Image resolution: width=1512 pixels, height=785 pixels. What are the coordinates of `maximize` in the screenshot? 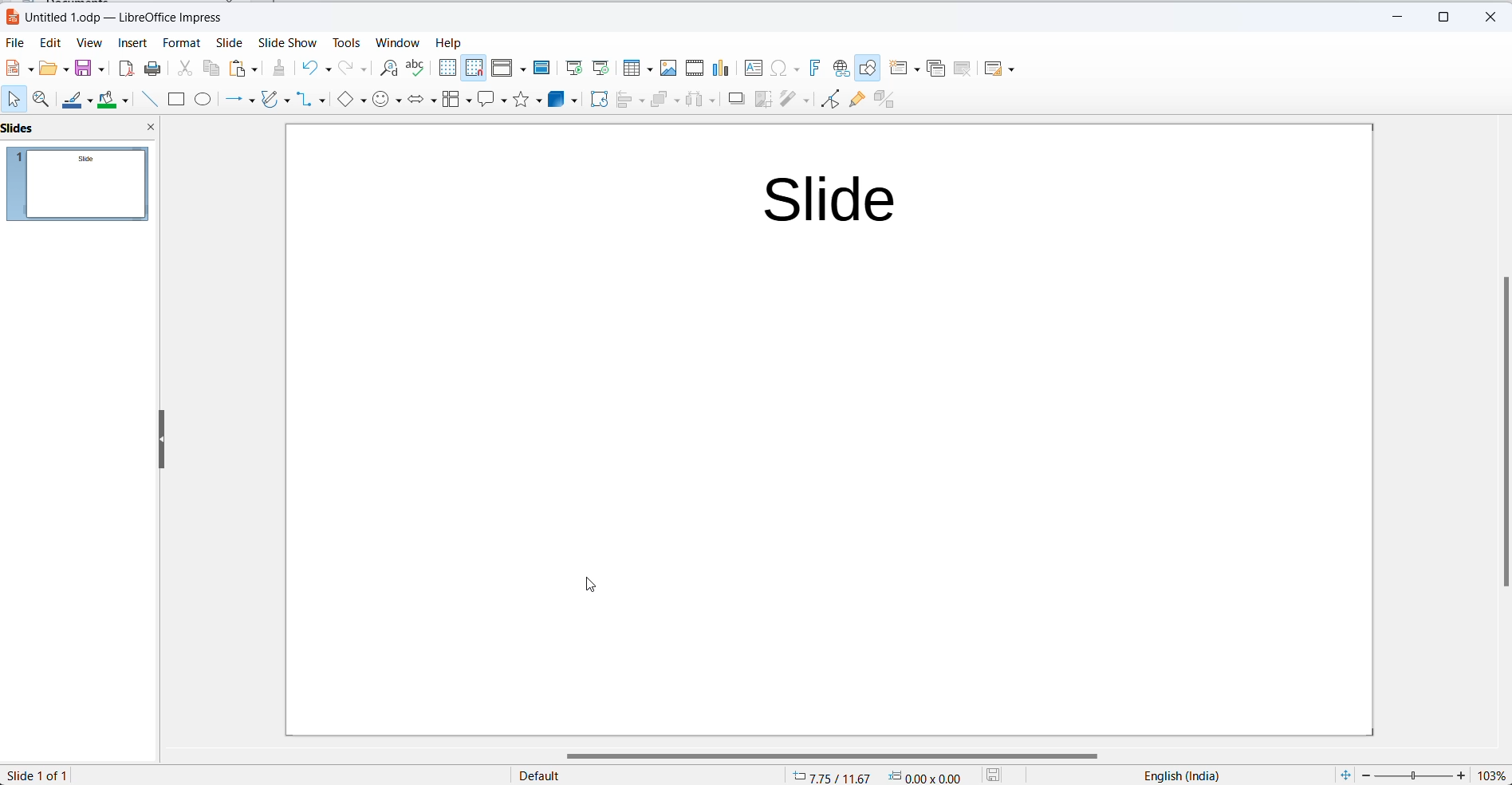 It's located at (1437, 20).